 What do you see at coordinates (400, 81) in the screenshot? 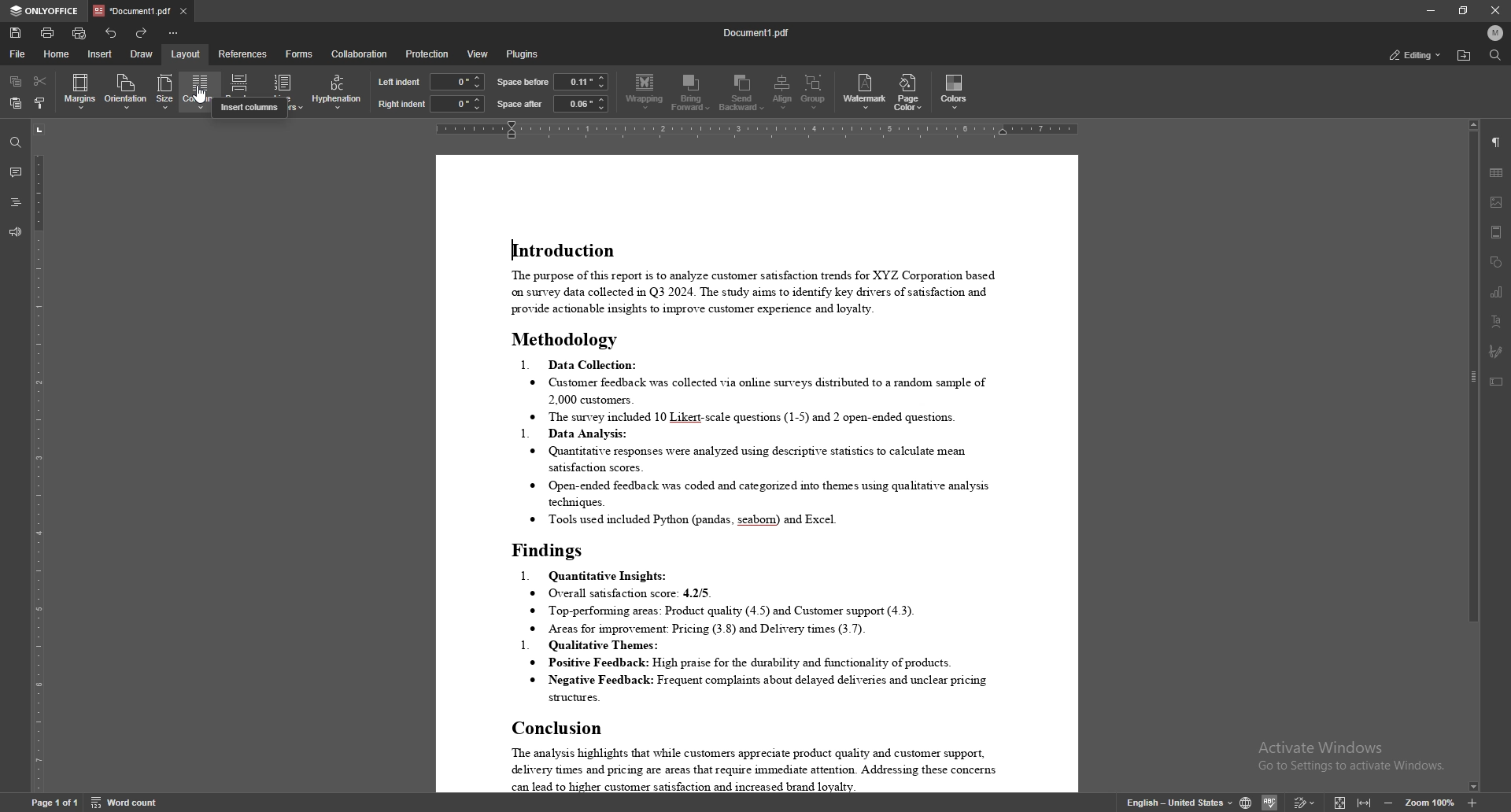
I see `left indent` at bounding box center [400, 81].